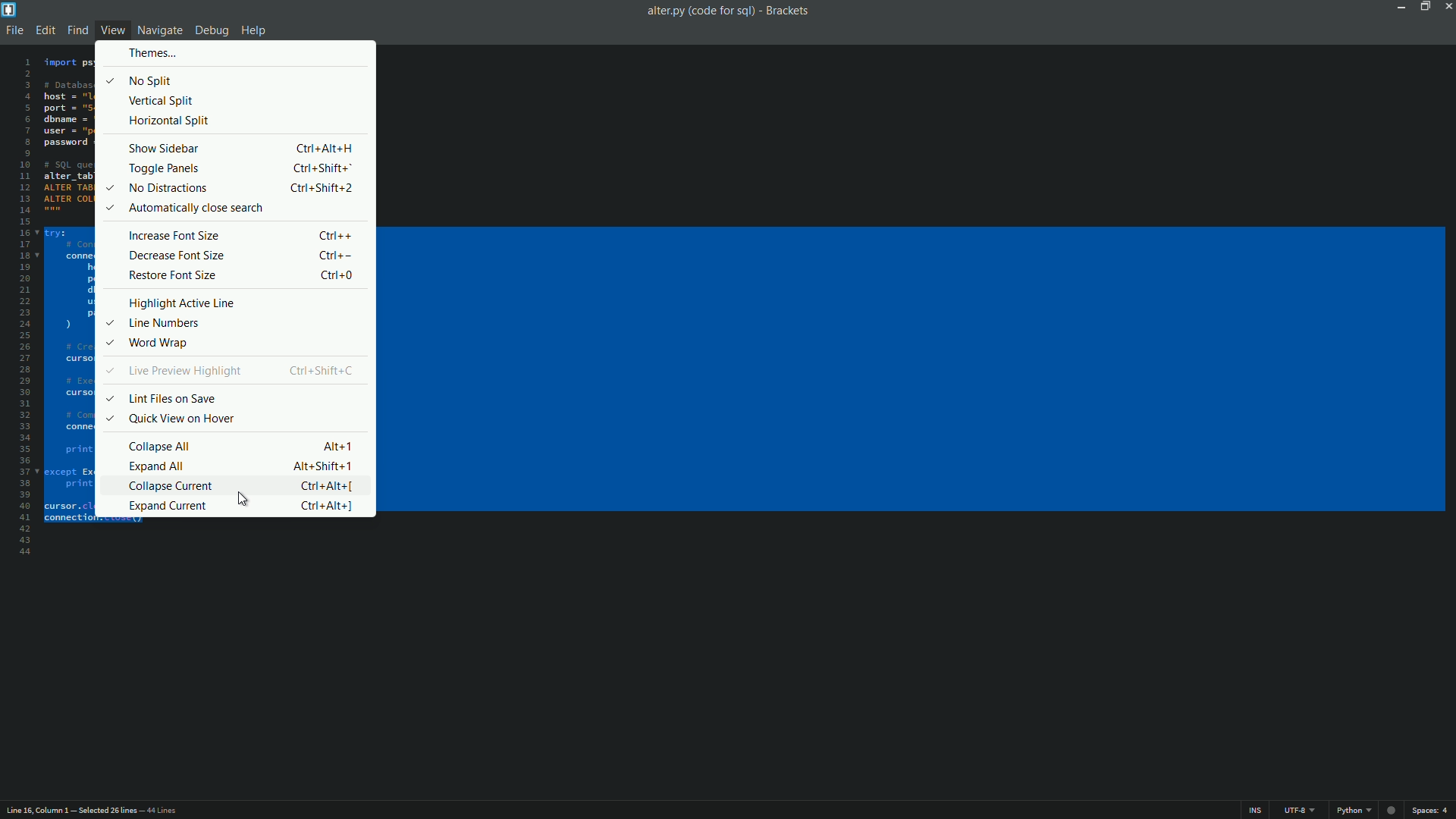  I want to click on debug menu, so click(209, 31).